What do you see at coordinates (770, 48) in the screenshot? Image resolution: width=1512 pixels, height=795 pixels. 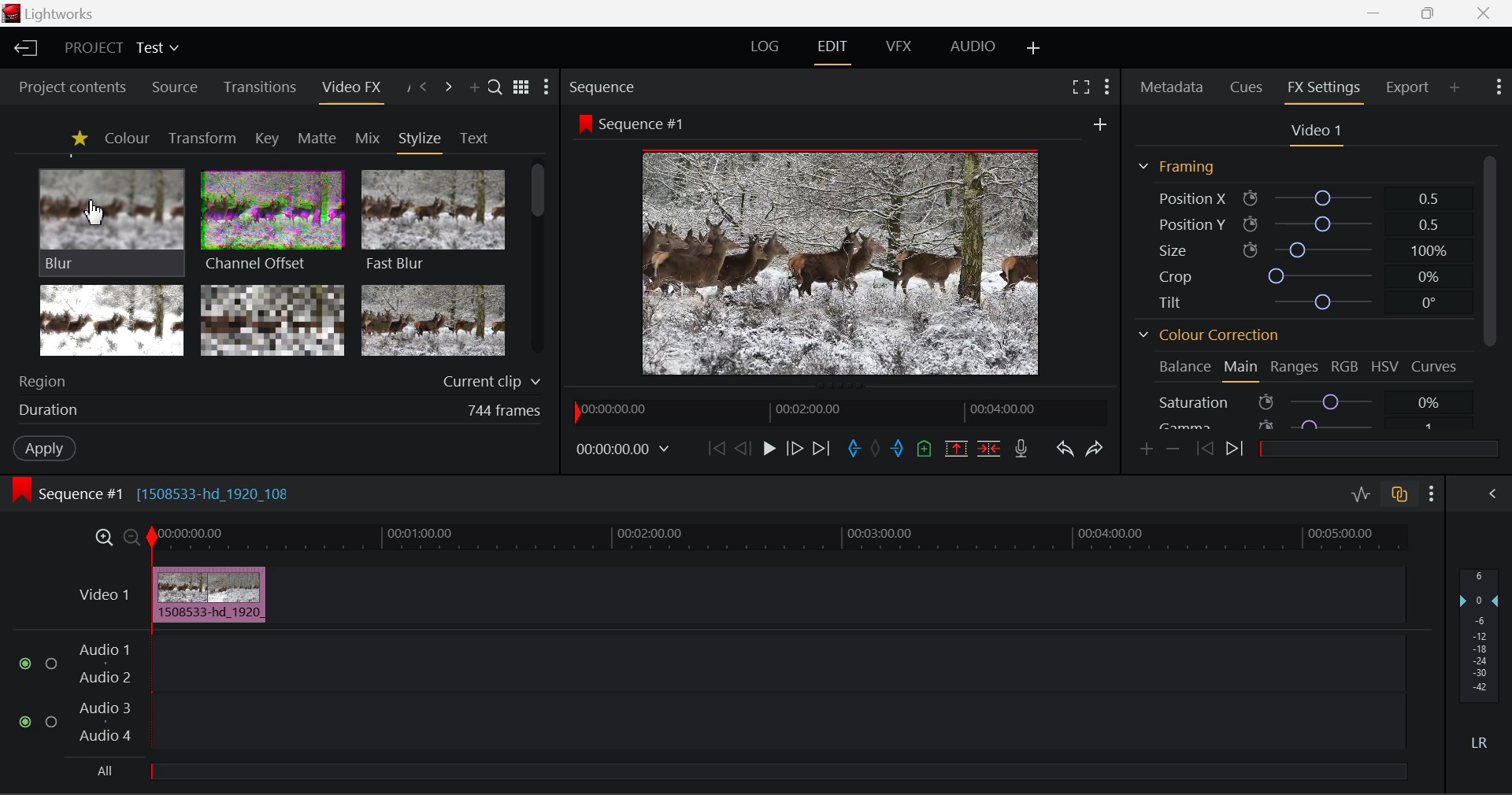 I see `LOG Layout` at bounding box center [770, 48].